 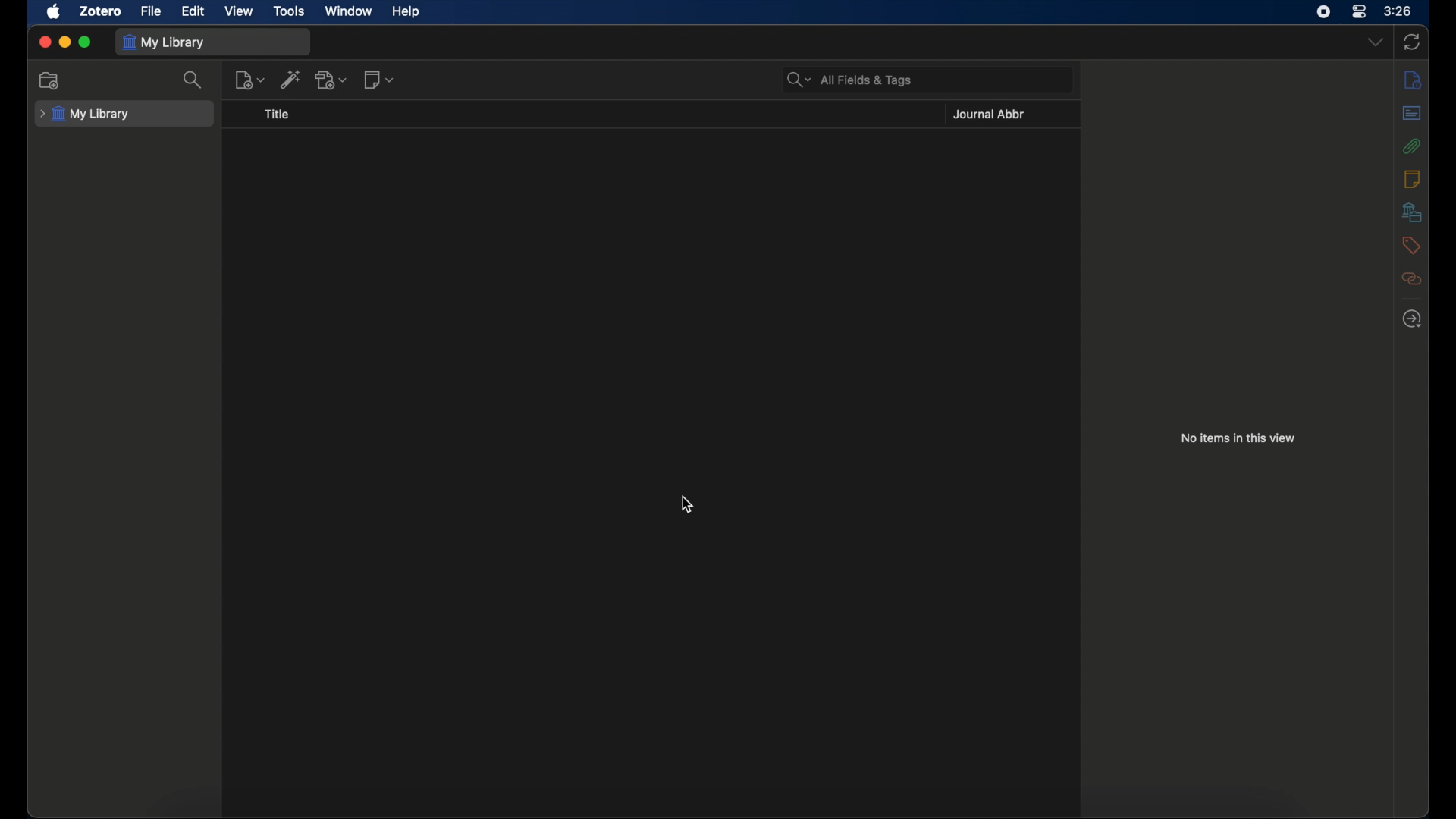 I want to click on abstract, so click(x=1414, y=113).